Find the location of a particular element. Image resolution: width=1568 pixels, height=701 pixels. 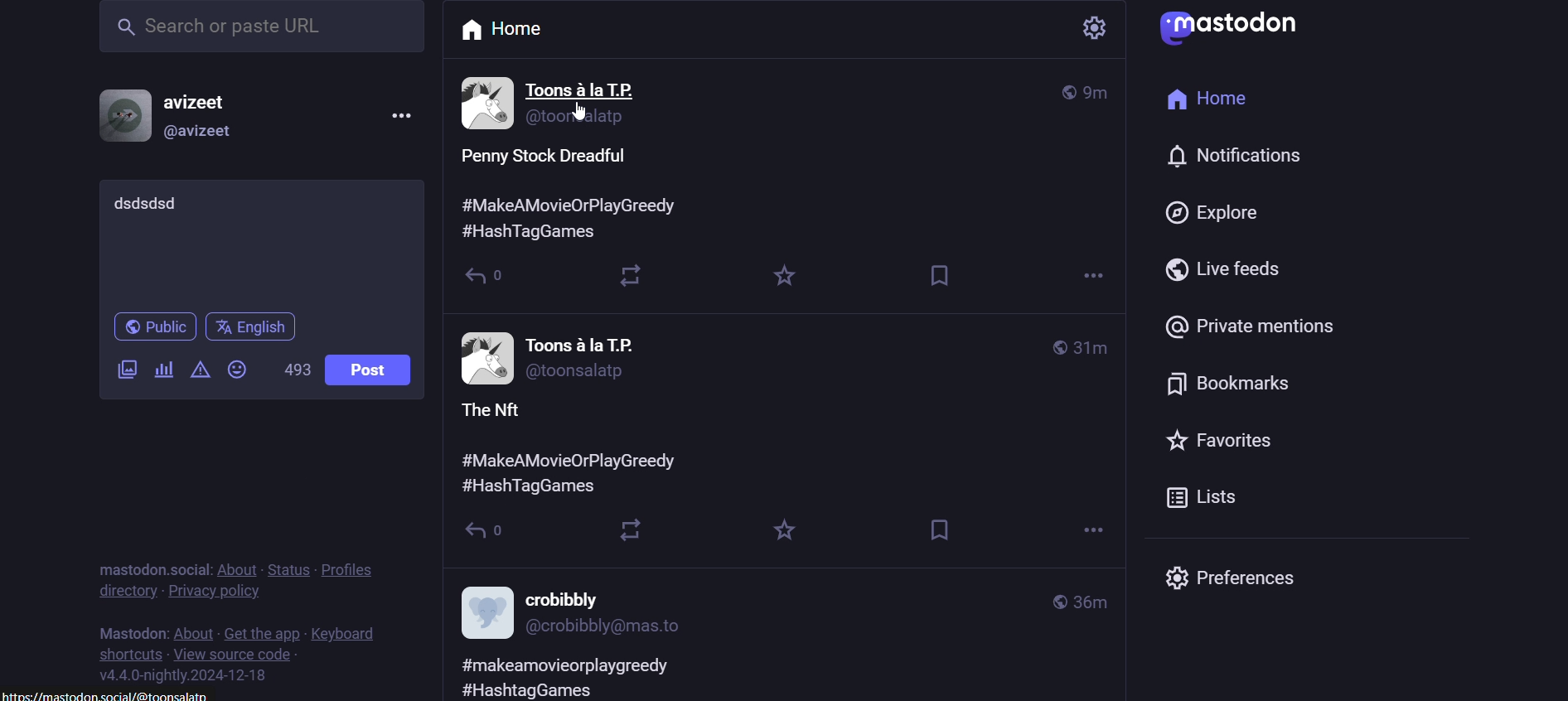

add a image is located at coordinates (128, 371).